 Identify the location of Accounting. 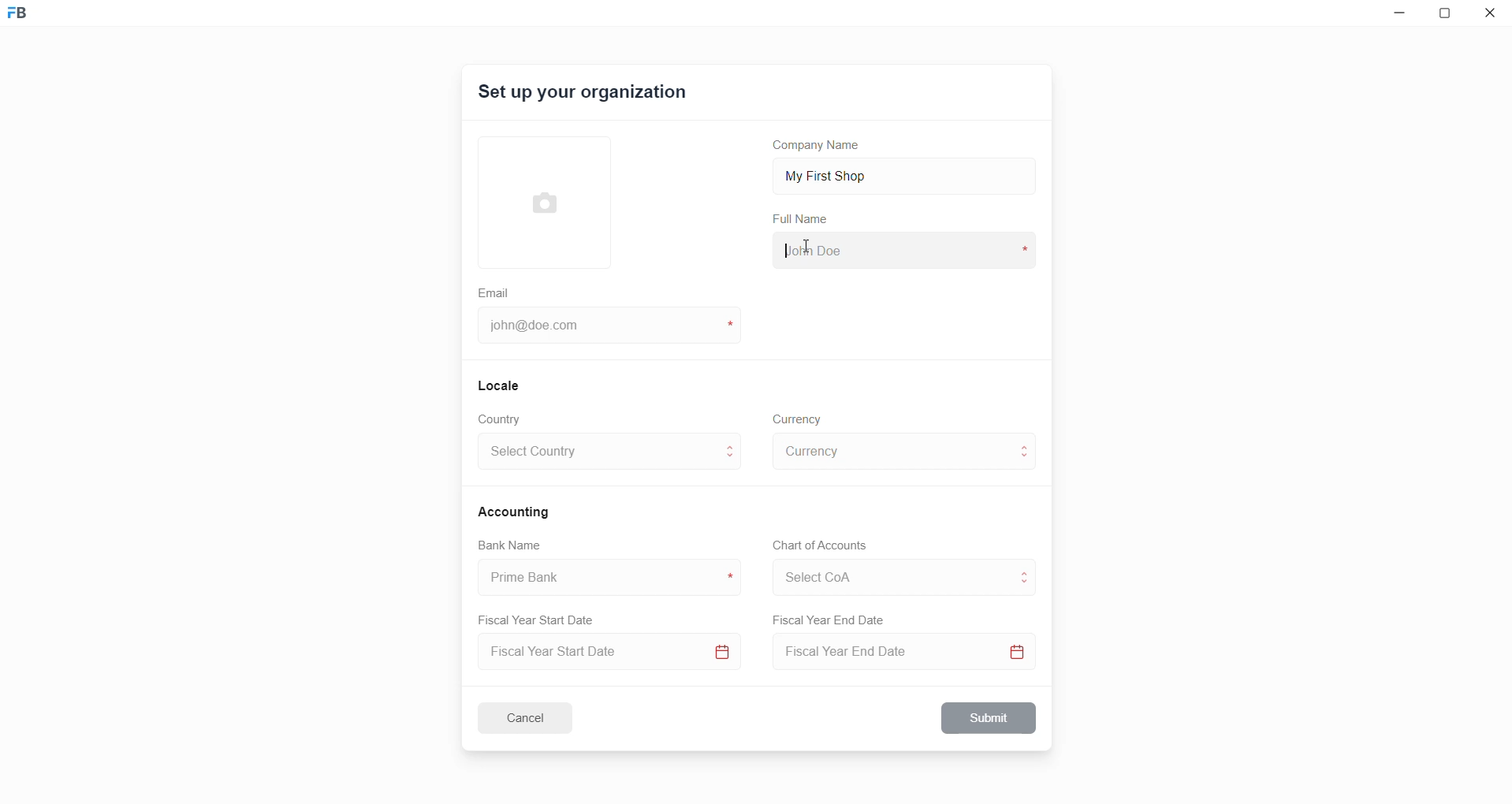
(516, 511).